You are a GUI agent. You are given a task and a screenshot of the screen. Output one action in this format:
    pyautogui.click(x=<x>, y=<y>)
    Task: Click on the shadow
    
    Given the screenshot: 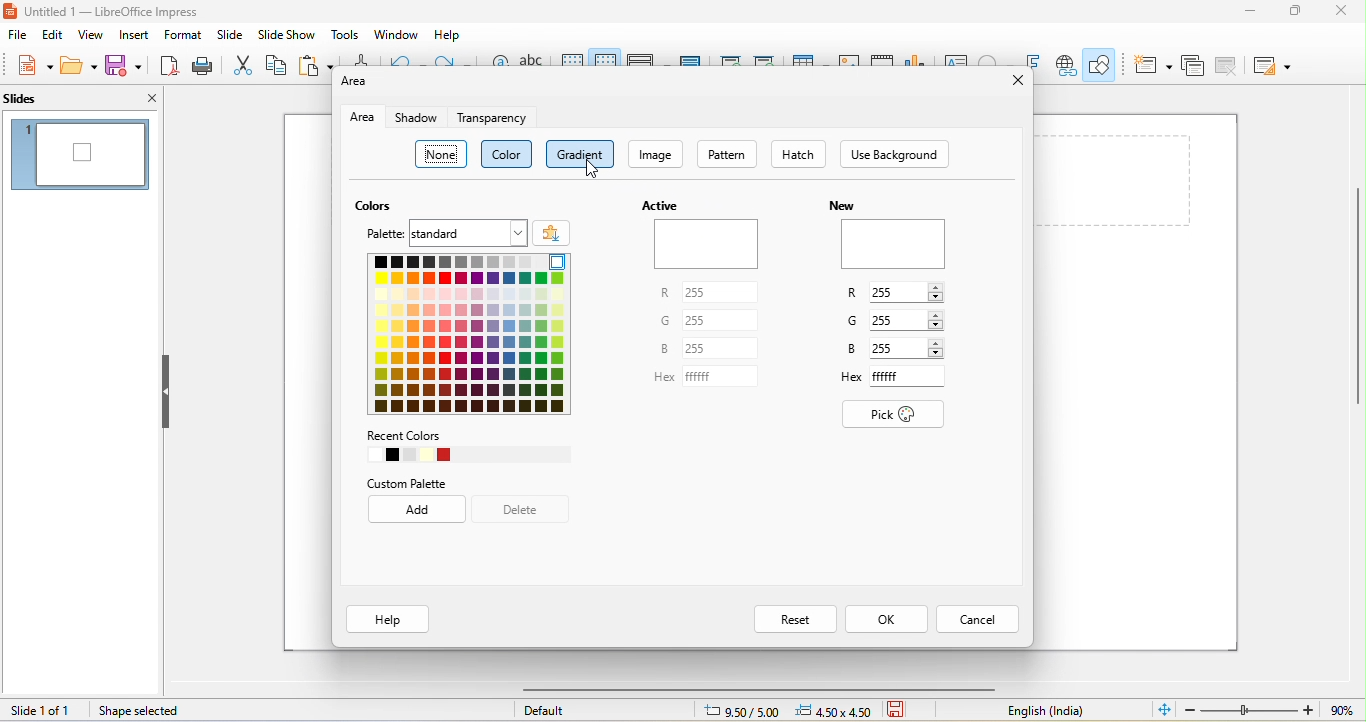 What is the action you would take?
    pyautogui.click(x=420, y=119)
    